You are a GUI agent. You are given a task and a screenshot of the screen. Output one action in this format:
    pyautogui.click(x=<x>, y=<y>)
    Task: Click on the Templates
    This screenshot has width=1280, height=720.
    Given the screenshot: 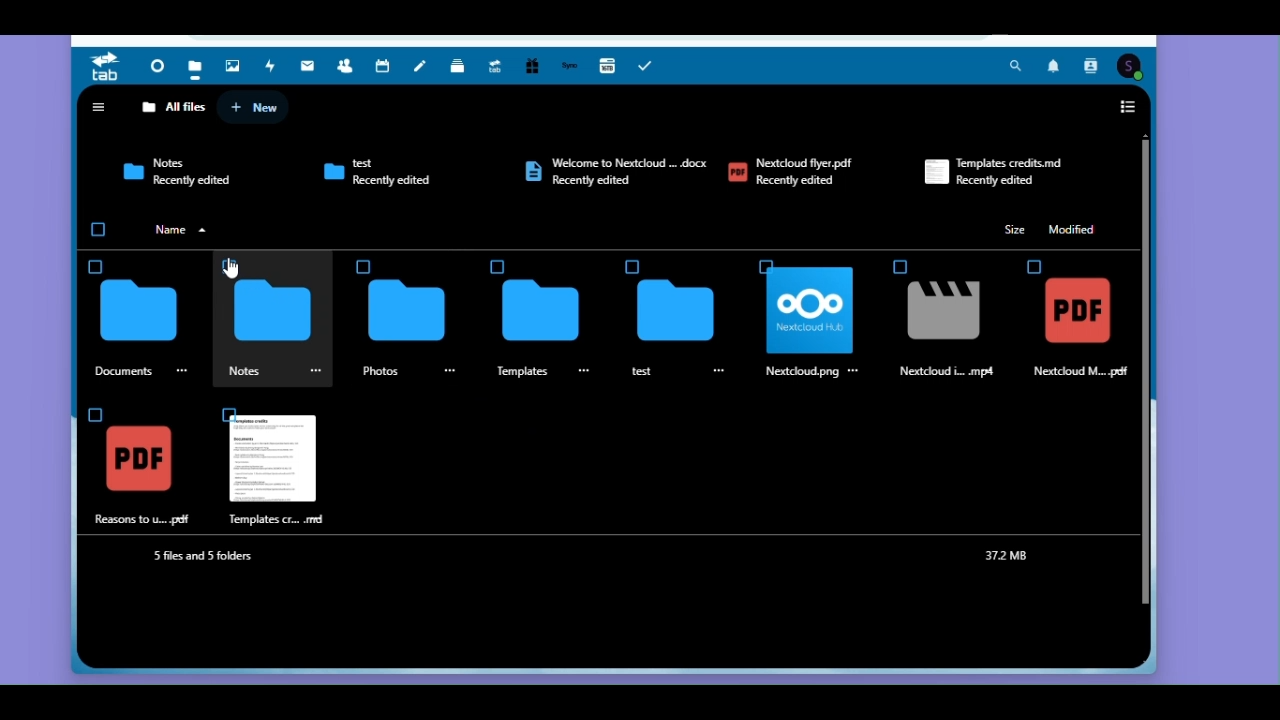 What is the action you would take?
    pyautogui.click(x=524, y=372)
    